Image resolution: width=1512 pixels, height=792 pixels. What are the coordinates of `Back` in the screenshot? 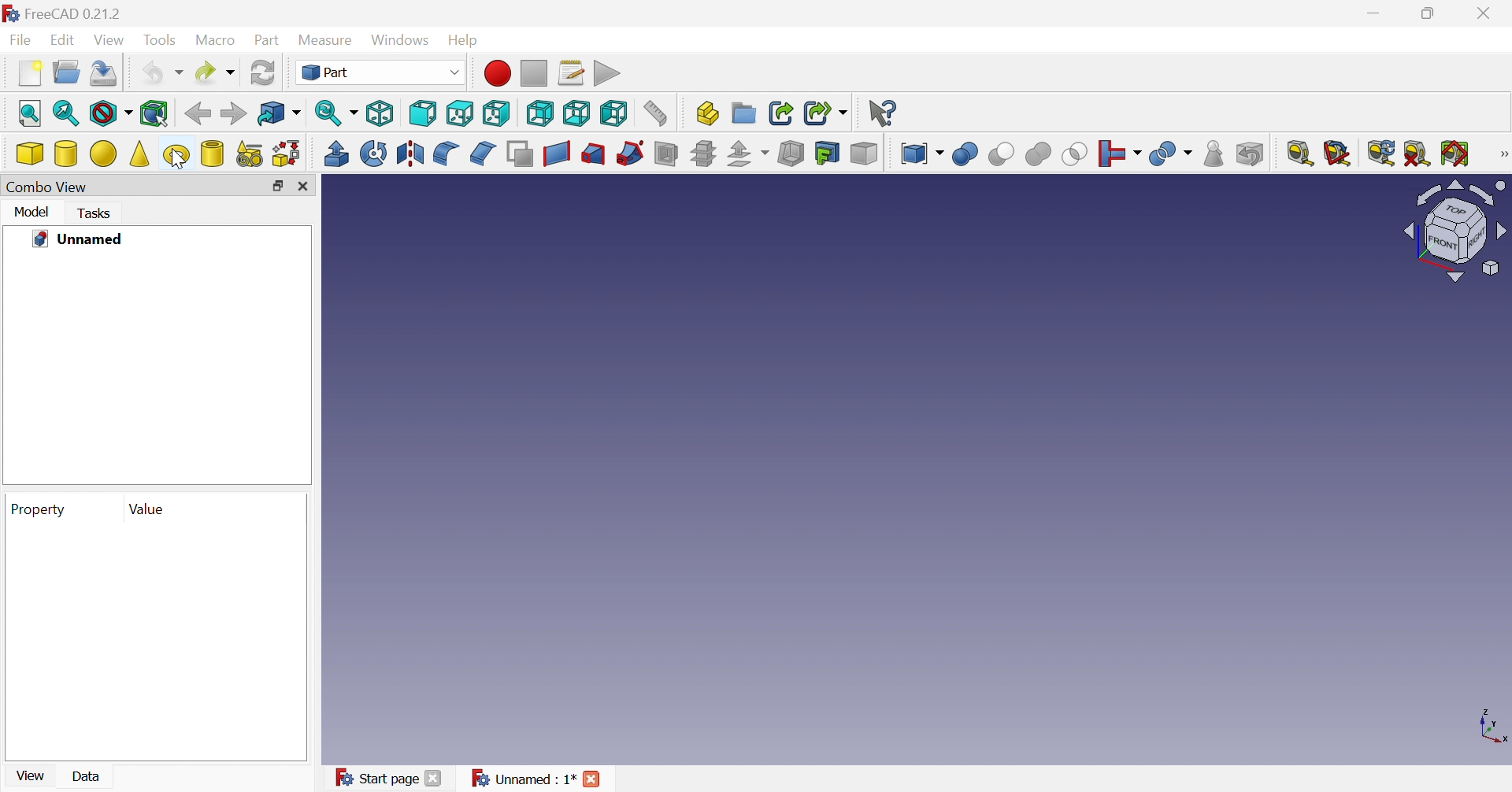 It's located at (196, 114).